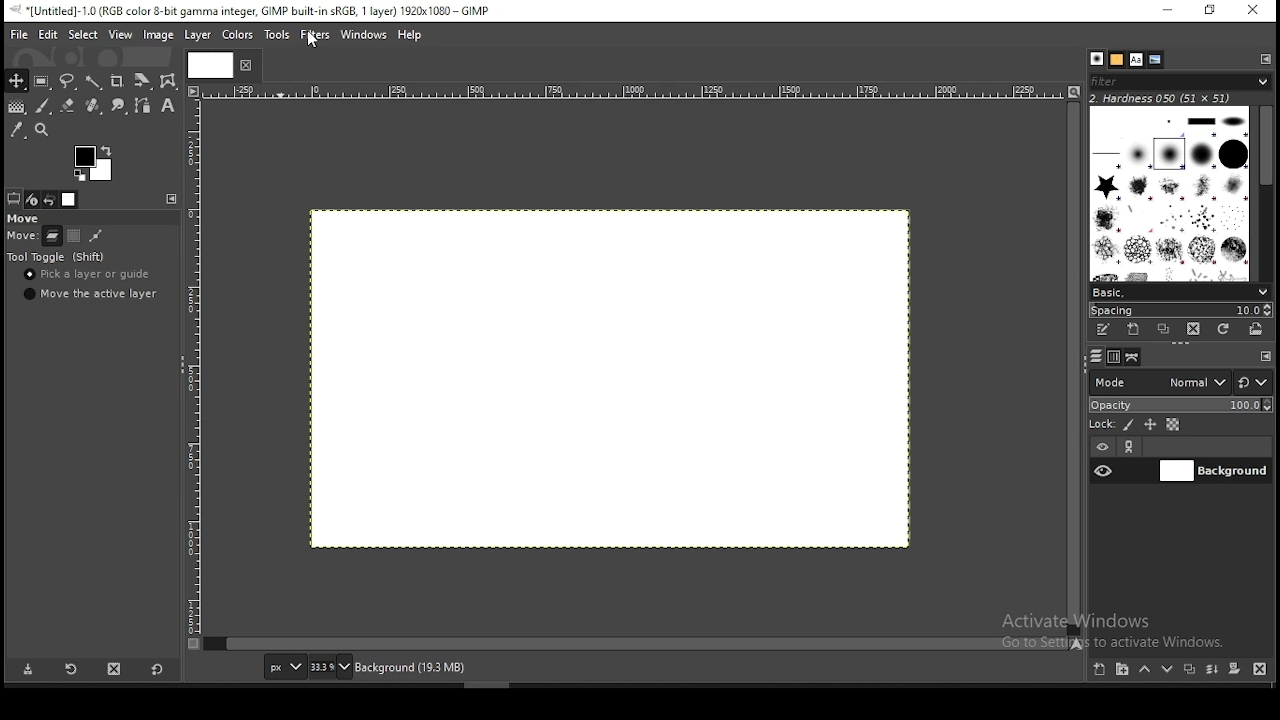 This screenshot has width=1280, height=720. What do you see at coordinates (23, 217) in the screenshot?
I see `move` at bounding box center [23, 217].